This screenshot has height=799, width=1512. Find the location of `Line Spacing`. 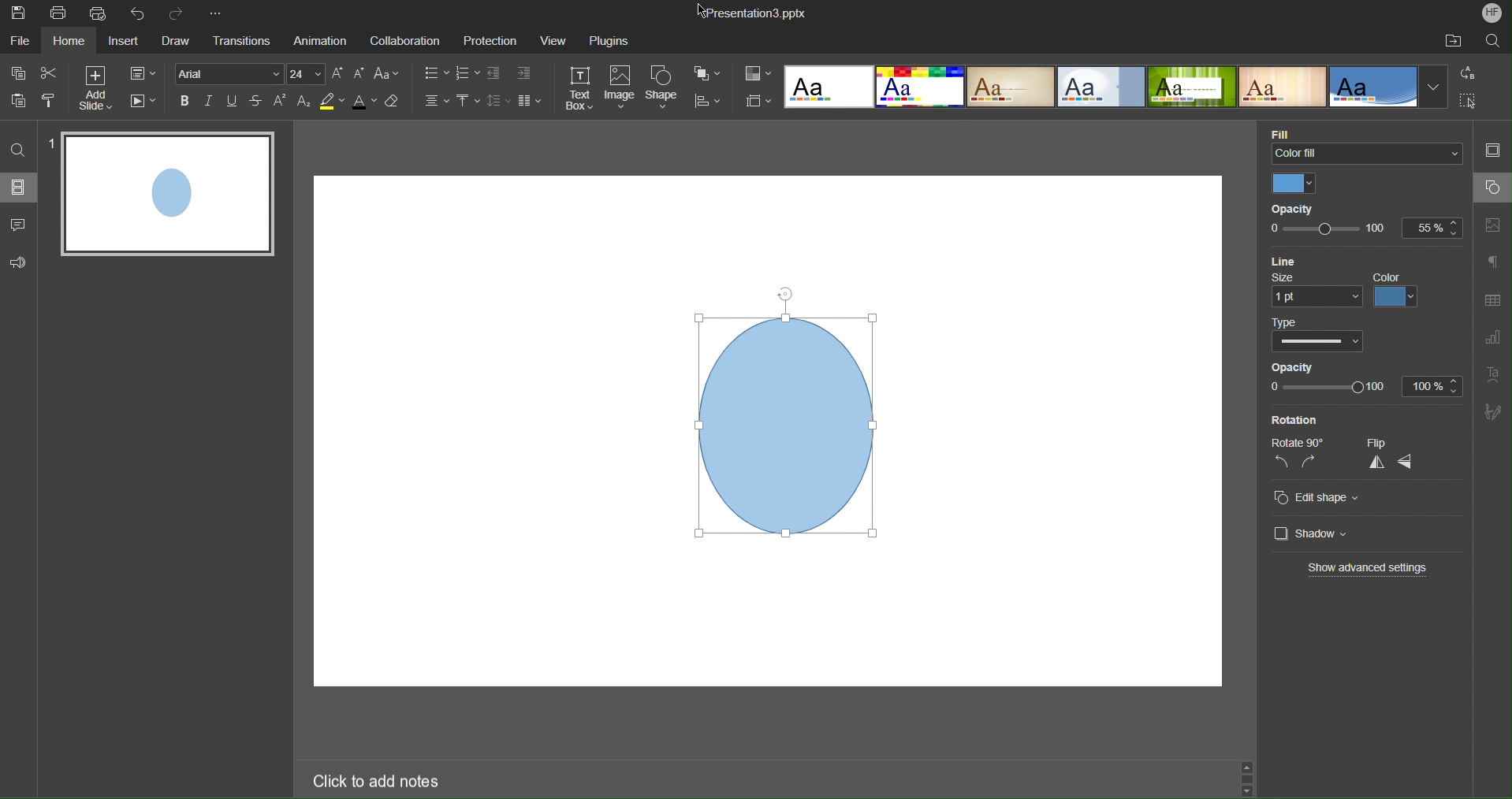

Line Spacing is located at coordinates (497, 102).